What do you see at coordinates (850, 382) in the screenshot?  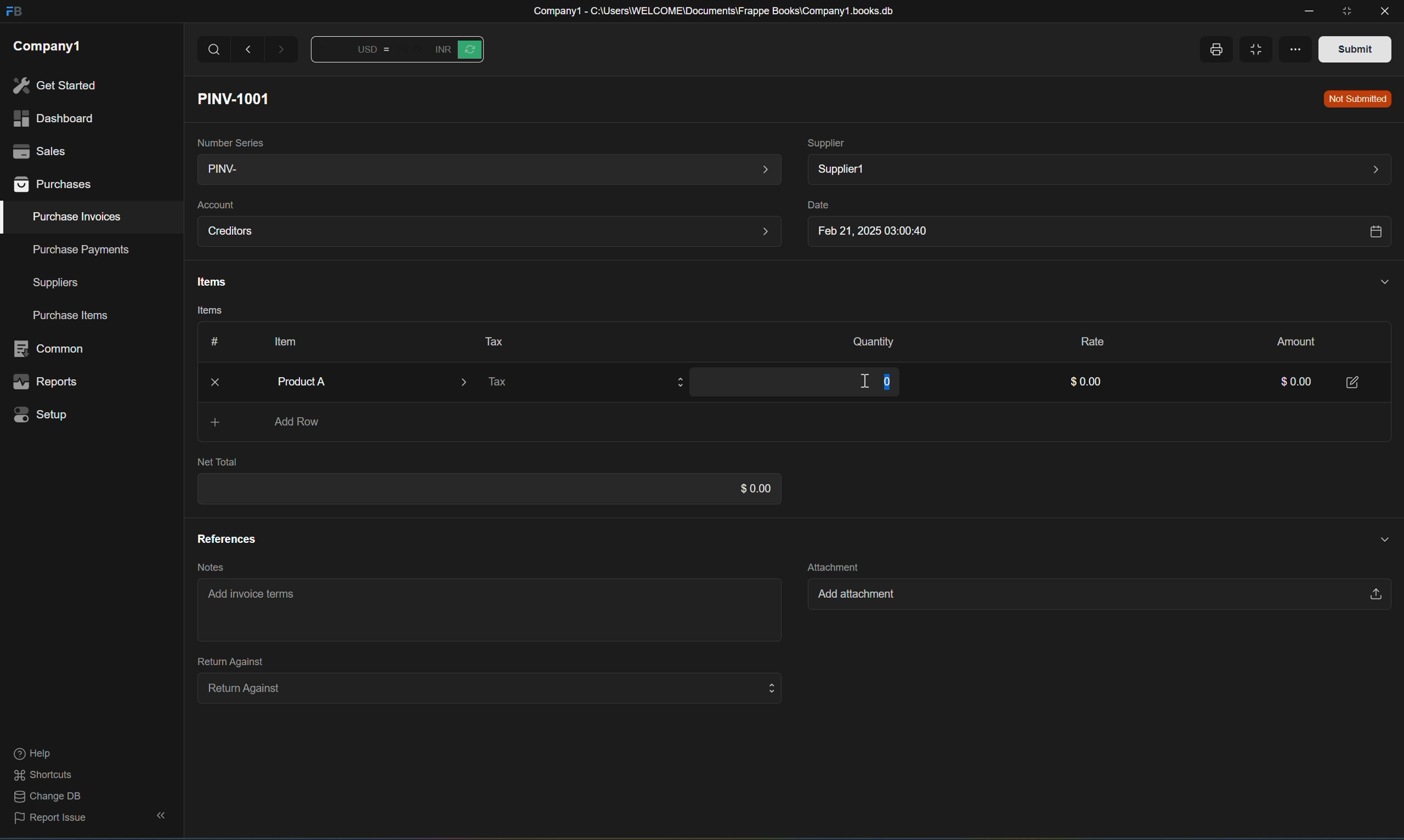 I see `cursor` at bounding box center [850, 382].